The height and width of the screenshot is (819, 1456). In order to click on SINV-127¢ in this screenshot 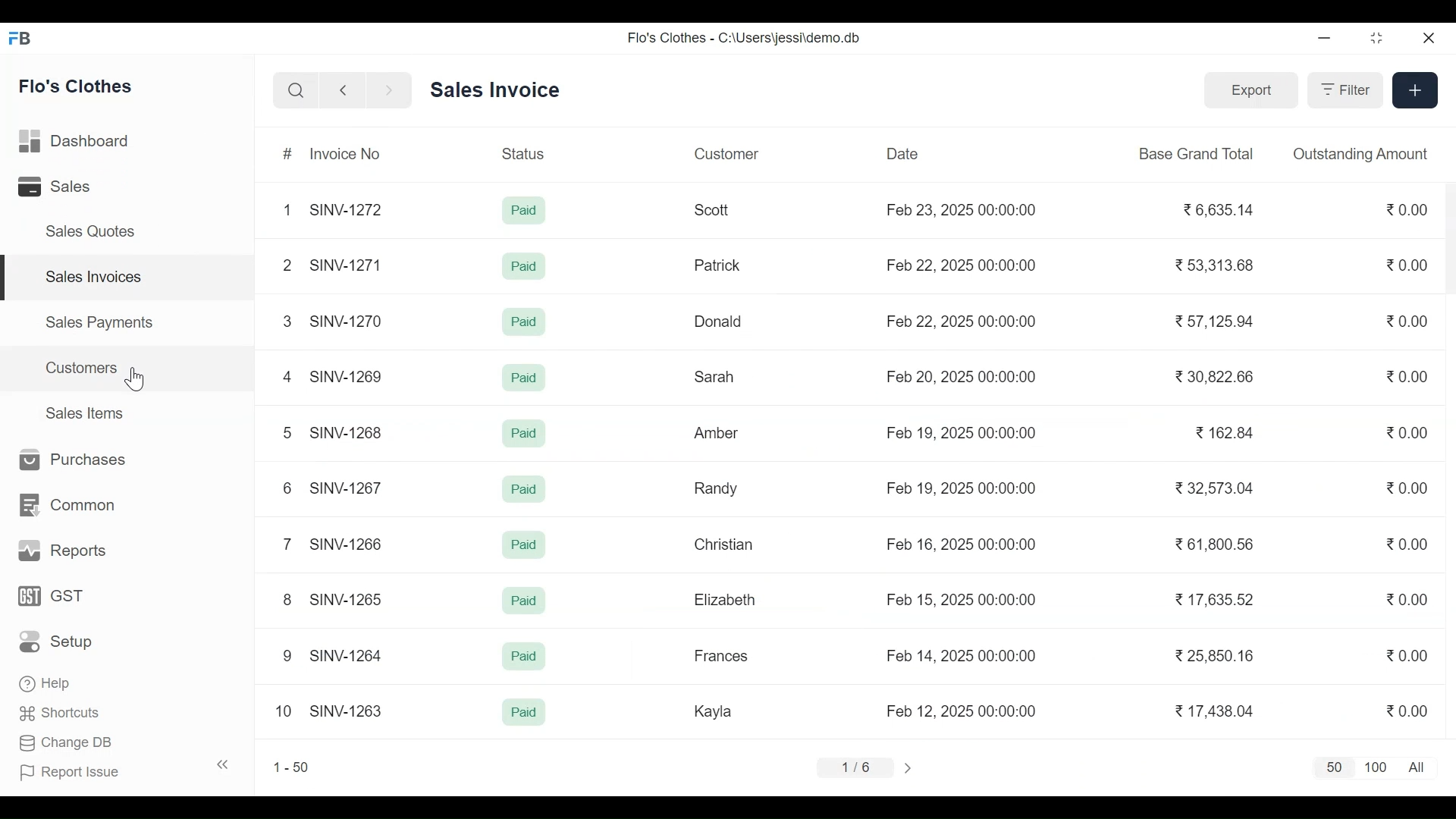, I will do `click(344, 320)`.